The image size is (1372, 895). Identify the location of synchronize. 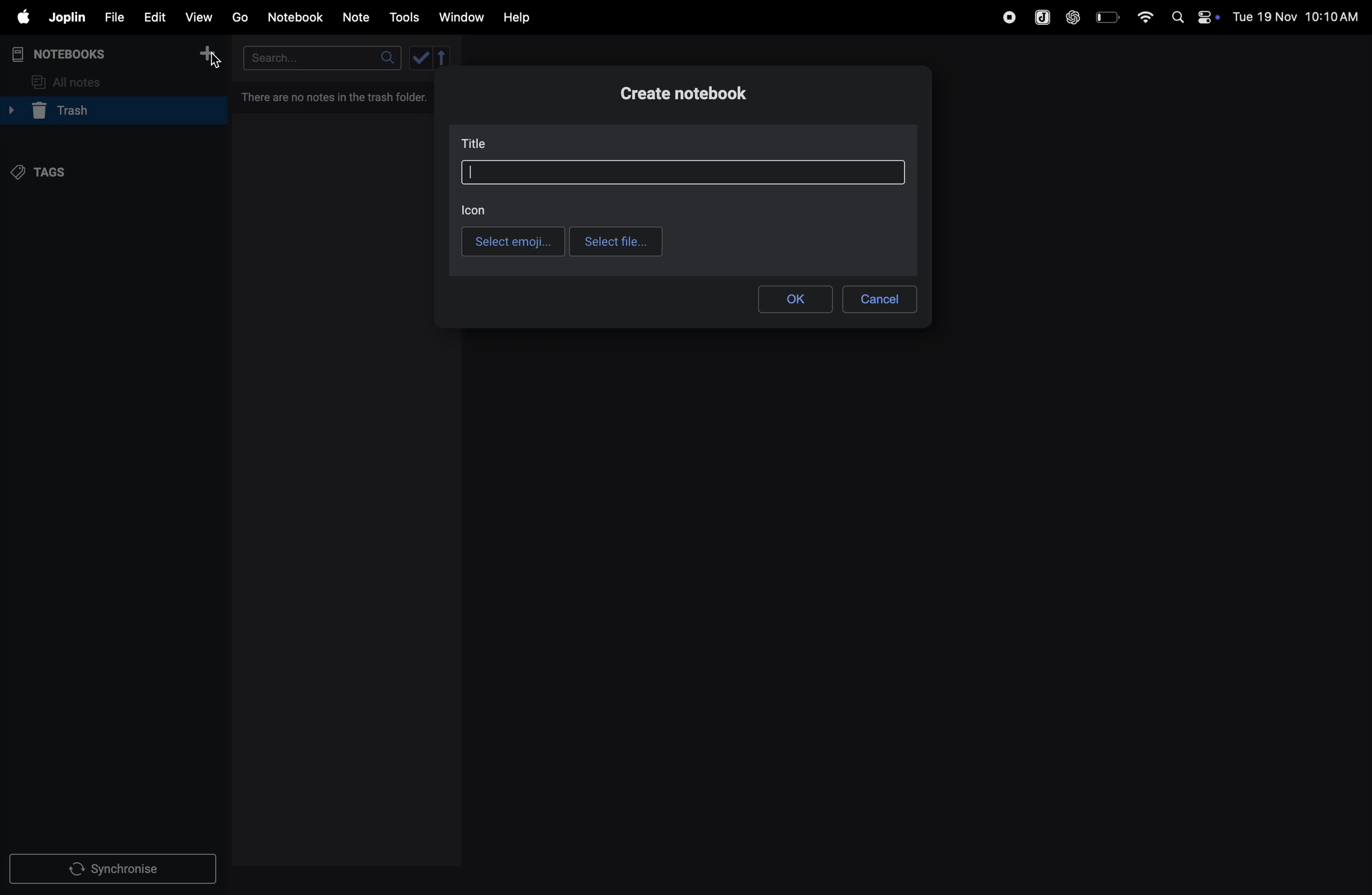
(115, 868).